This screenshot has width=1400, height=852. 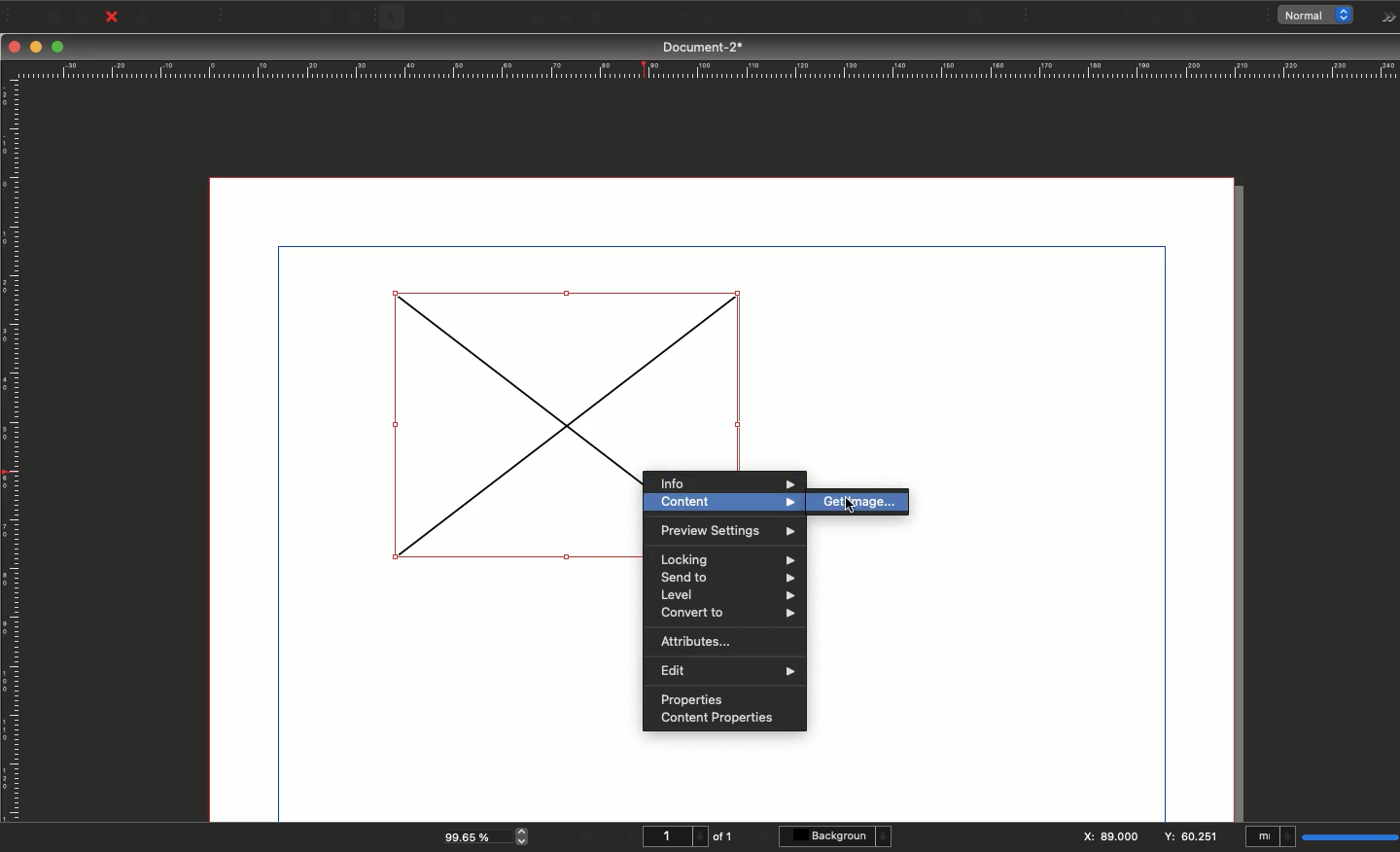 I want to click on Link annotation, so click(x=1250, y=18).